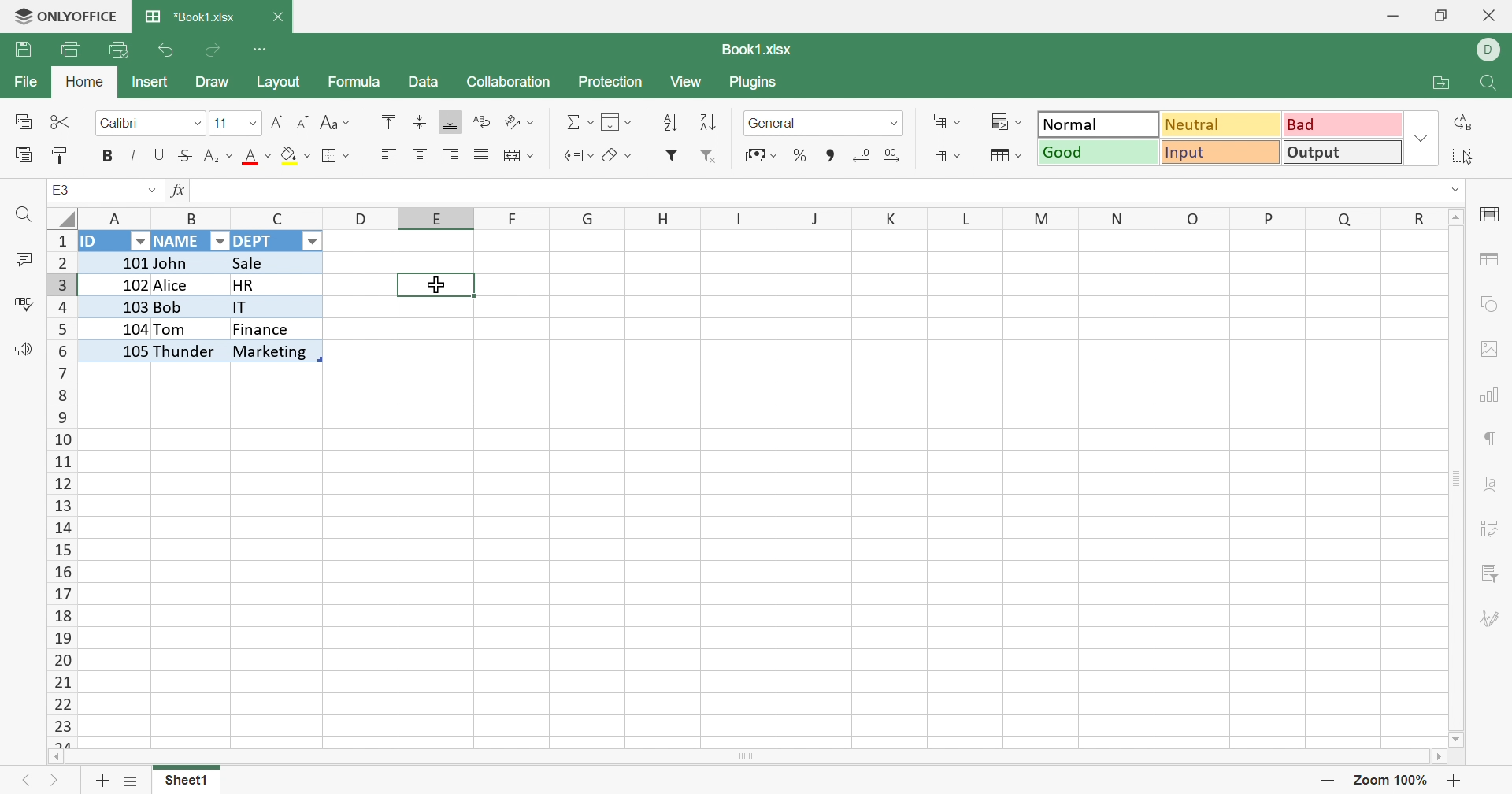  Describe the element at coordinates (61, 190) in the screenshot. I see `A1` at that location.